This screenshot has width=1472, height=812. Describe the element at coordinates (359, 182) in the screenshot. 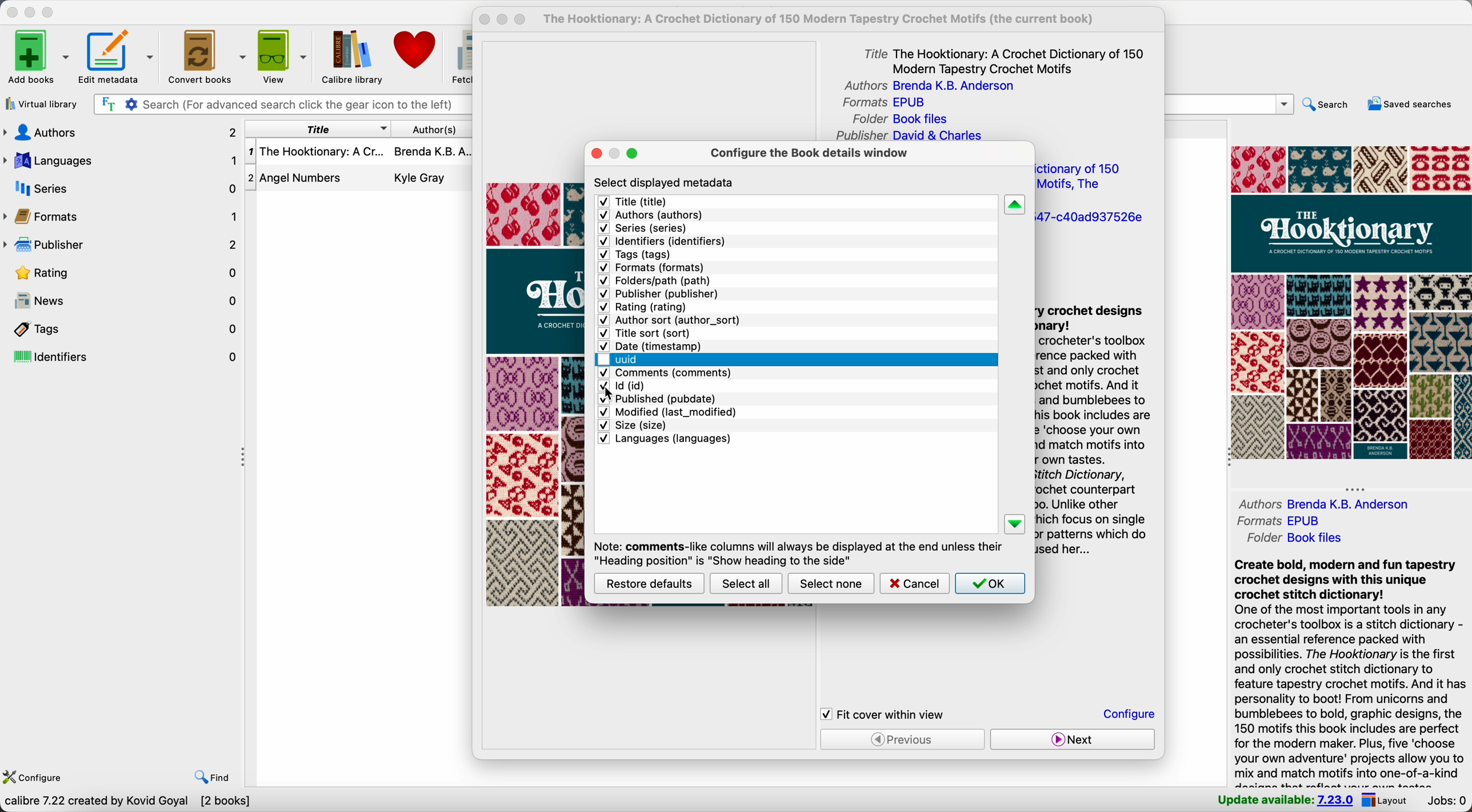

I see `Angel numbers book details` at that location.